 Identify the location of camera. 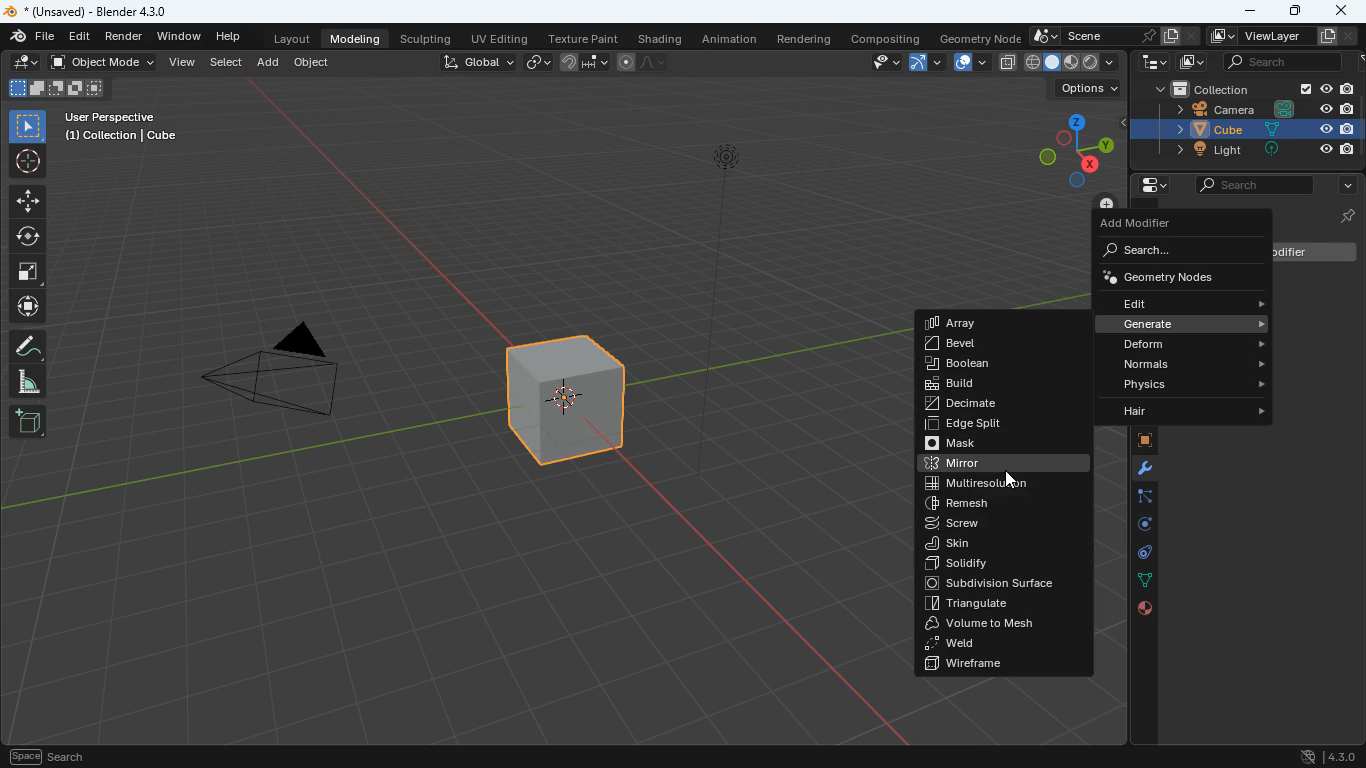
(289, 376).